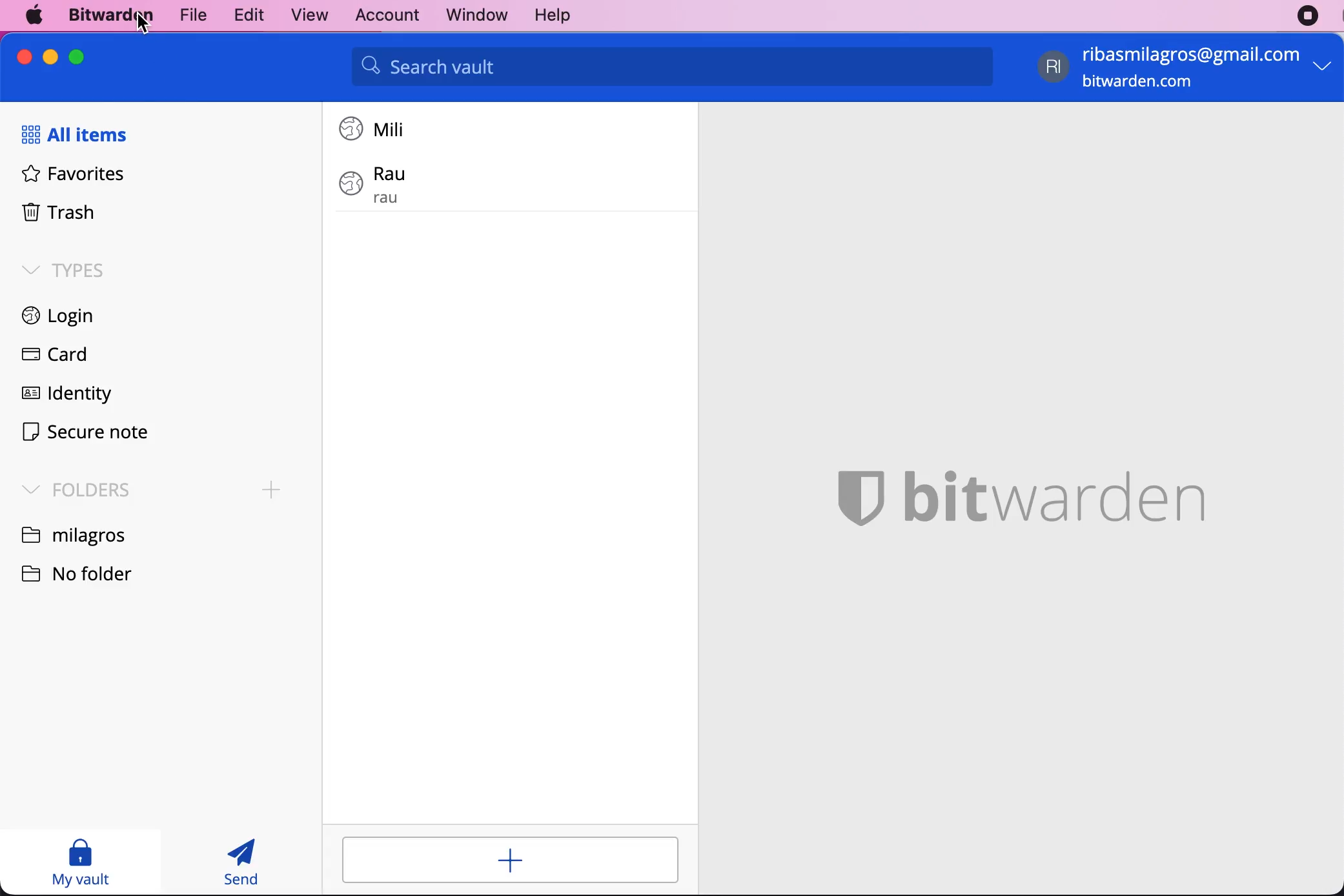 The width and height of the screenshot is (1344, 896). What do you see at coordinates (80, 136) in the screenshot?
I see `all items` at bounding box center [80, 136].